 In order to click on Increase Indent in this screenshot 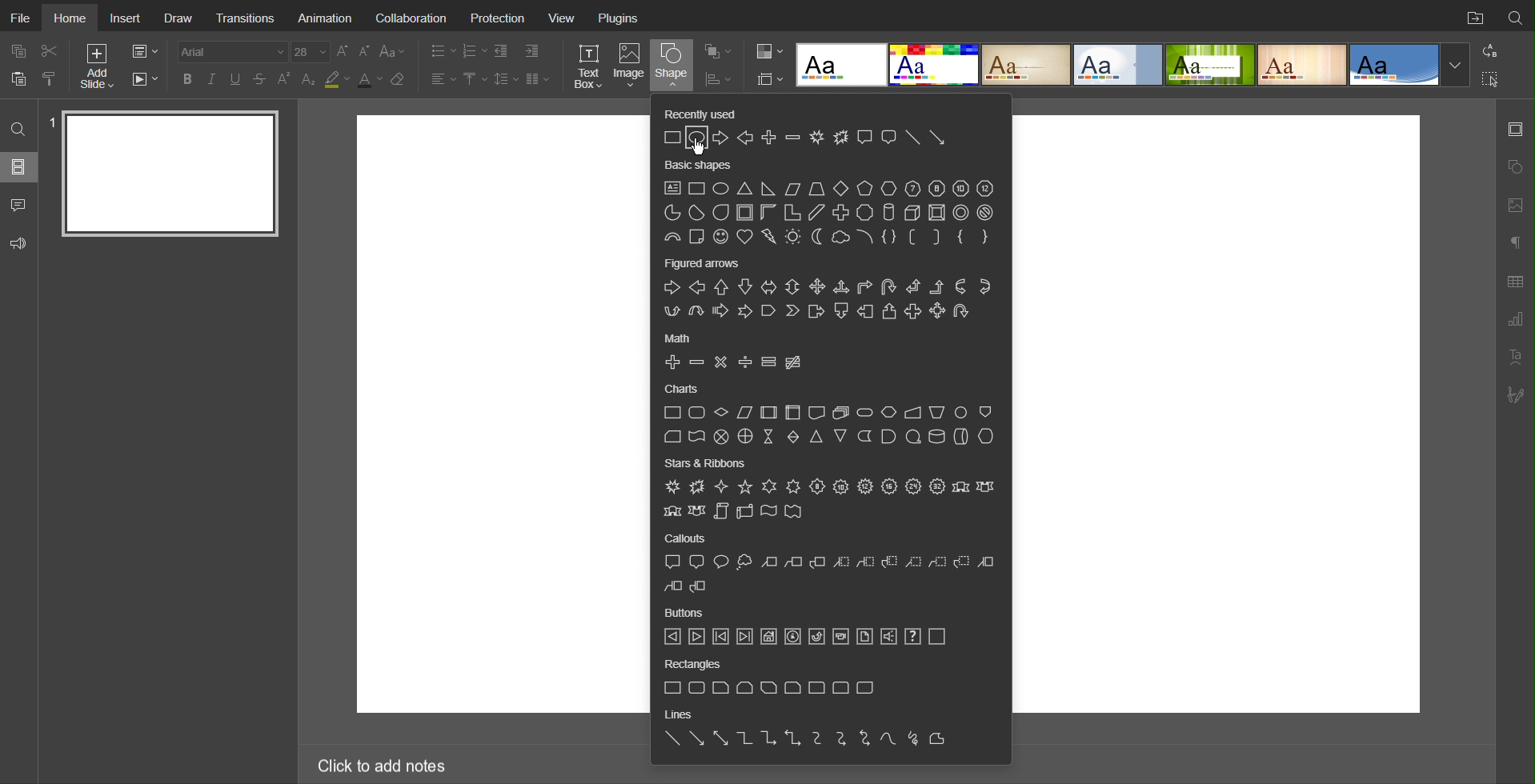, I will do `click(531, 52)`.